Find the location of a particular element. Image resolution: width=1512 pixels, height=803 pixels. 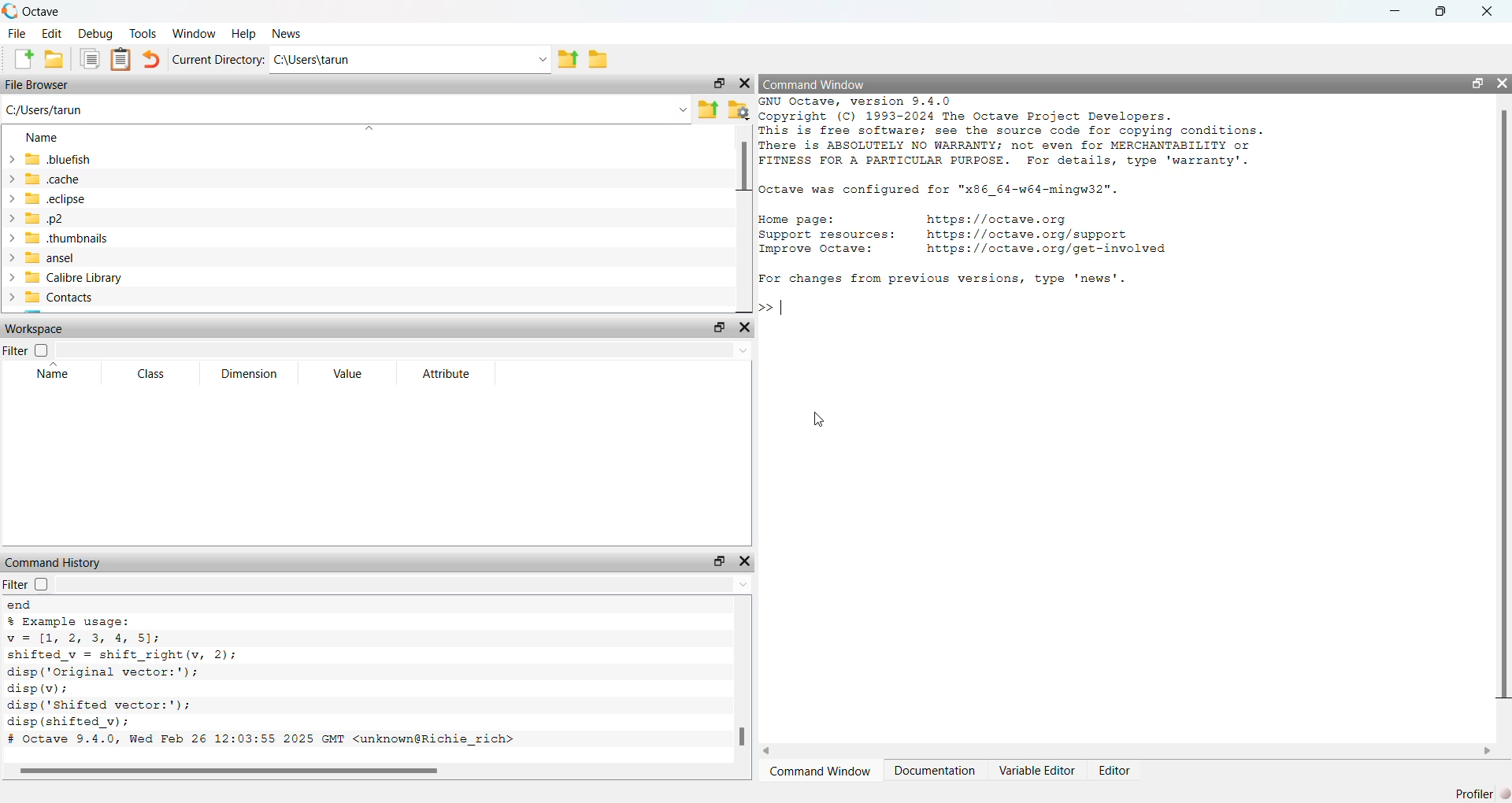

name is located at coordinates (44, 138).